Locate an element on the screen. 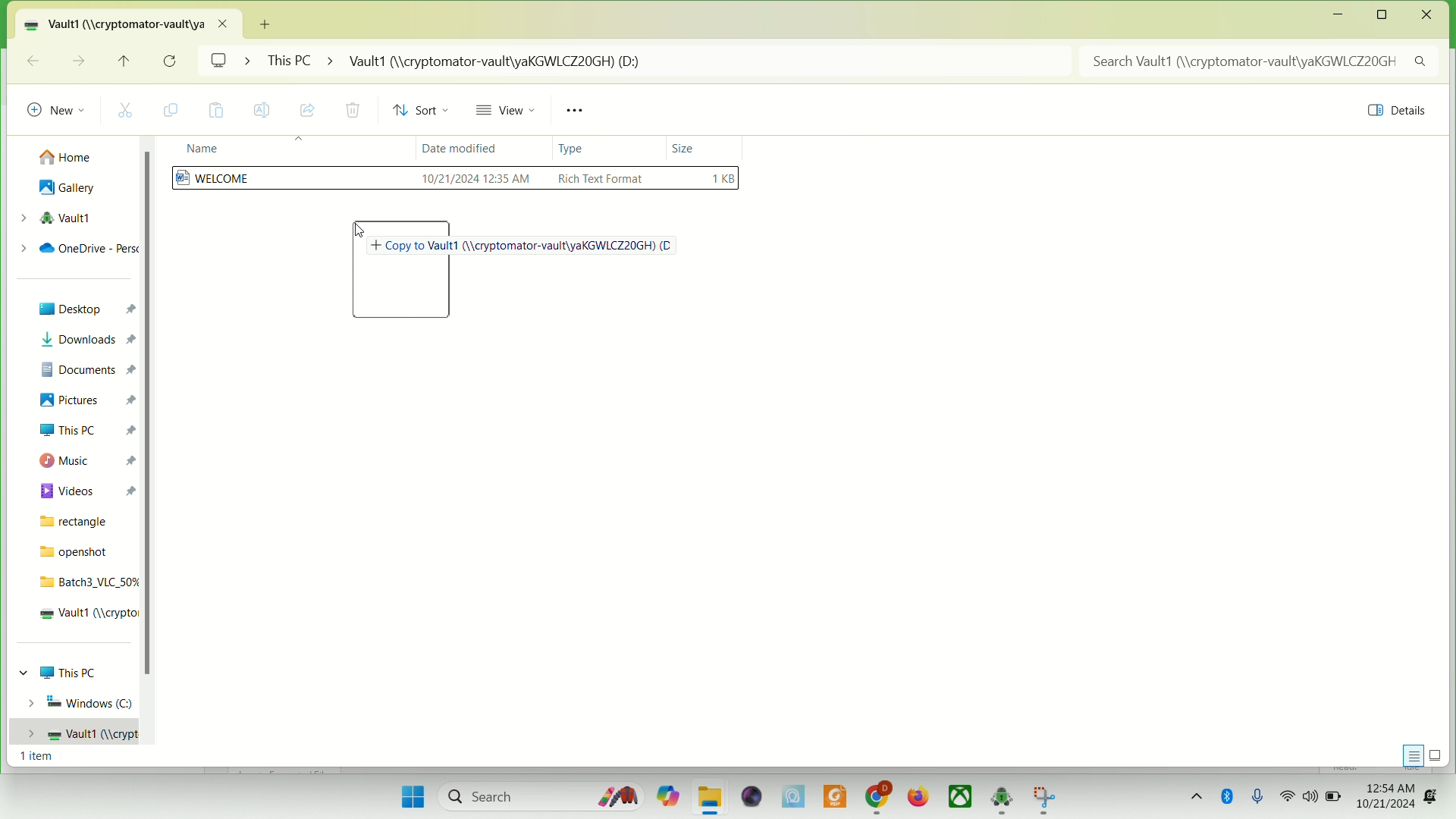 This screenshot has width=1456, height=819. rectangle is located at coordinates (76, 521).